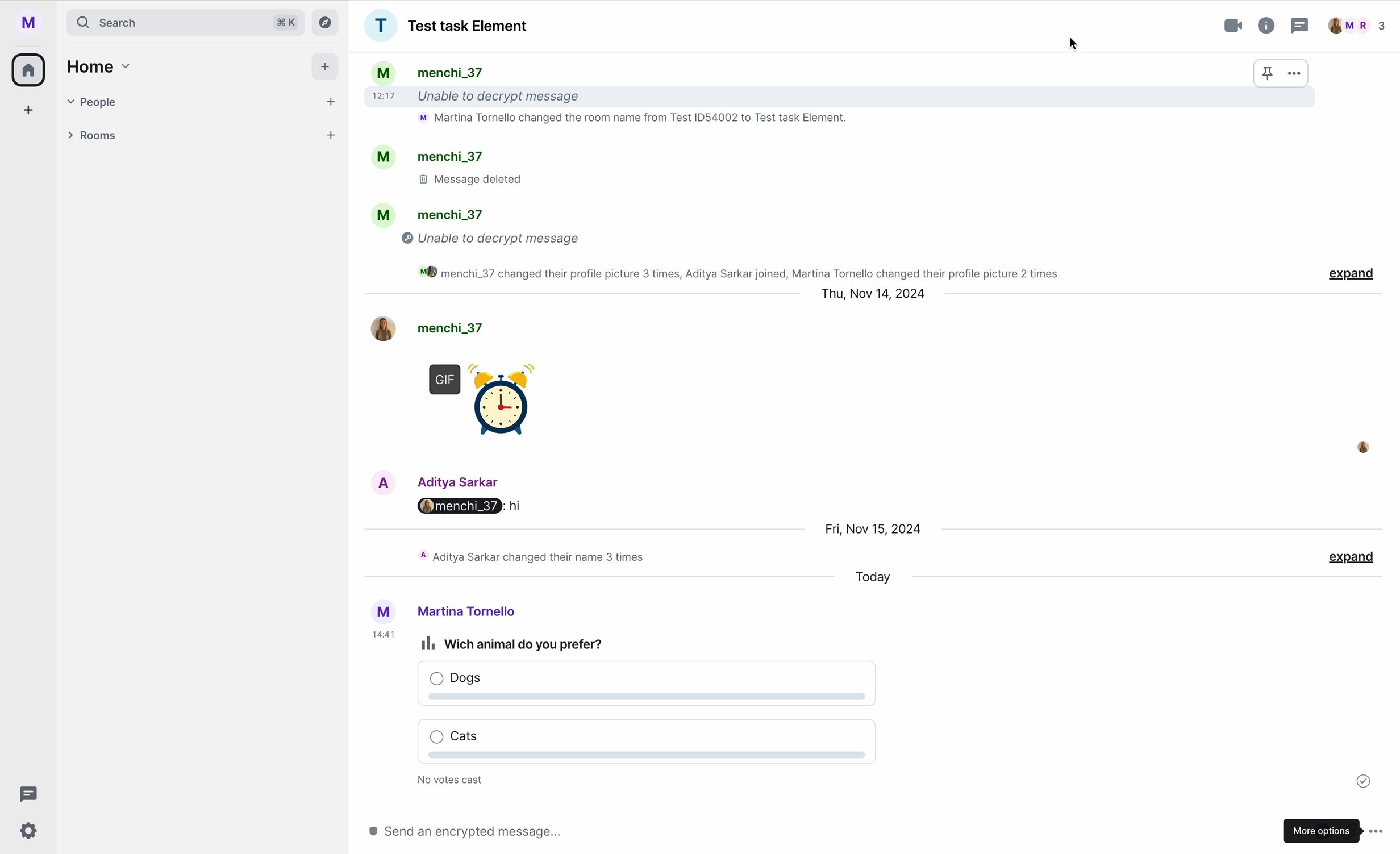 The height and width of the screenshot is (854, 1400). Describe the element at coordinates (1073, 44) in the screenshot. I see `cursor` at that location.